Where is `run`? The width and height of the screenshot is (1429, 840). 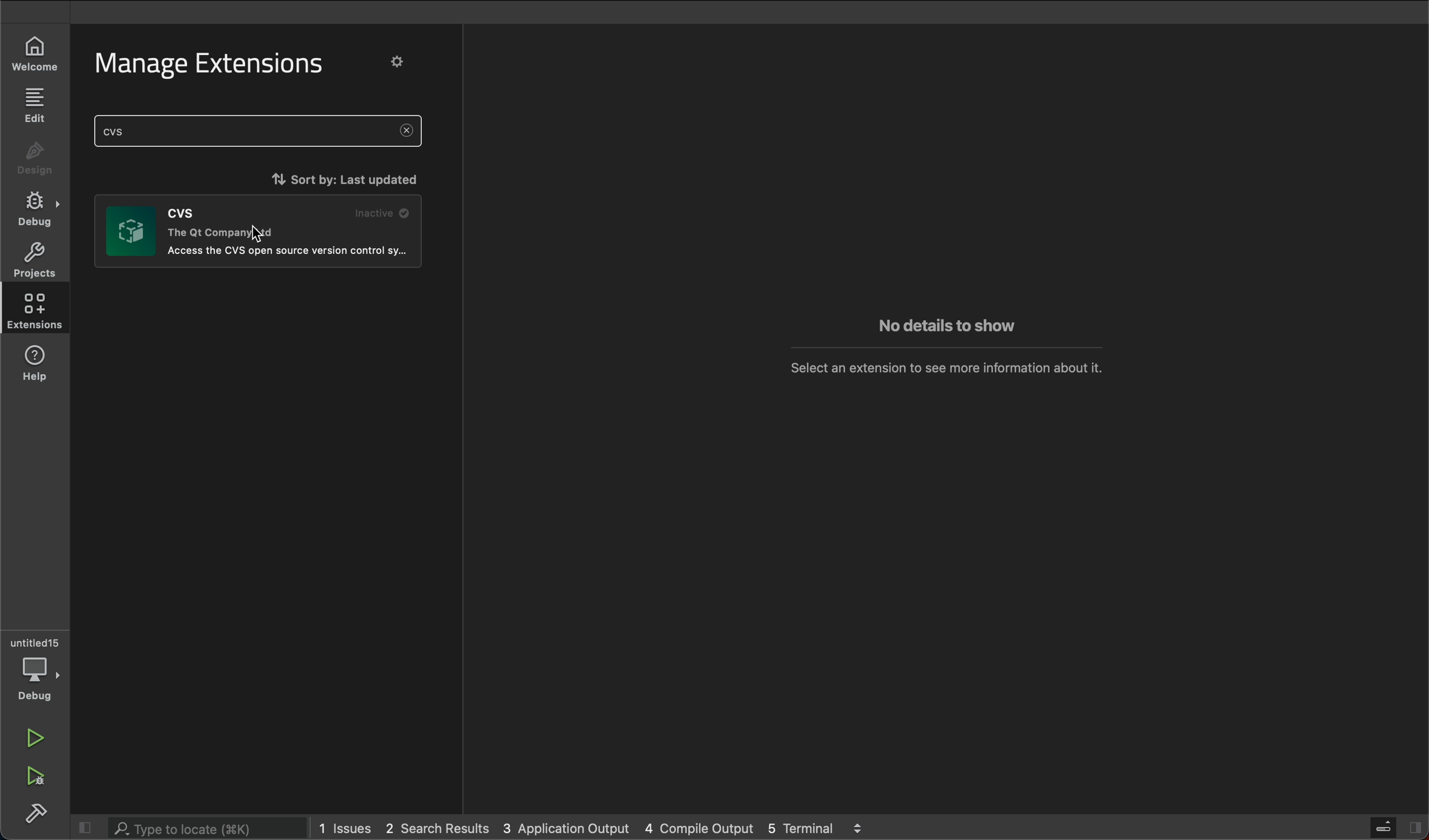 run is located at coordinates (38, 739).